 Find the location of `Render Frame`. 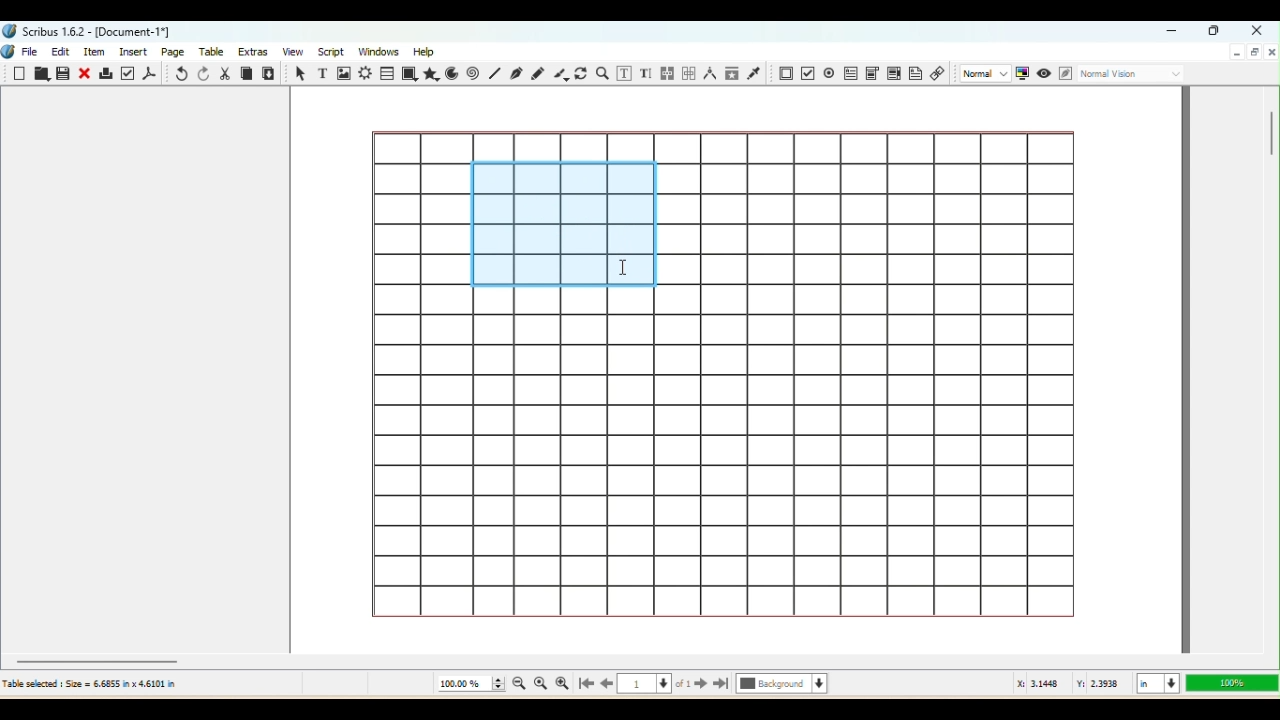

Render Frame is located at coordinates (365, 73).